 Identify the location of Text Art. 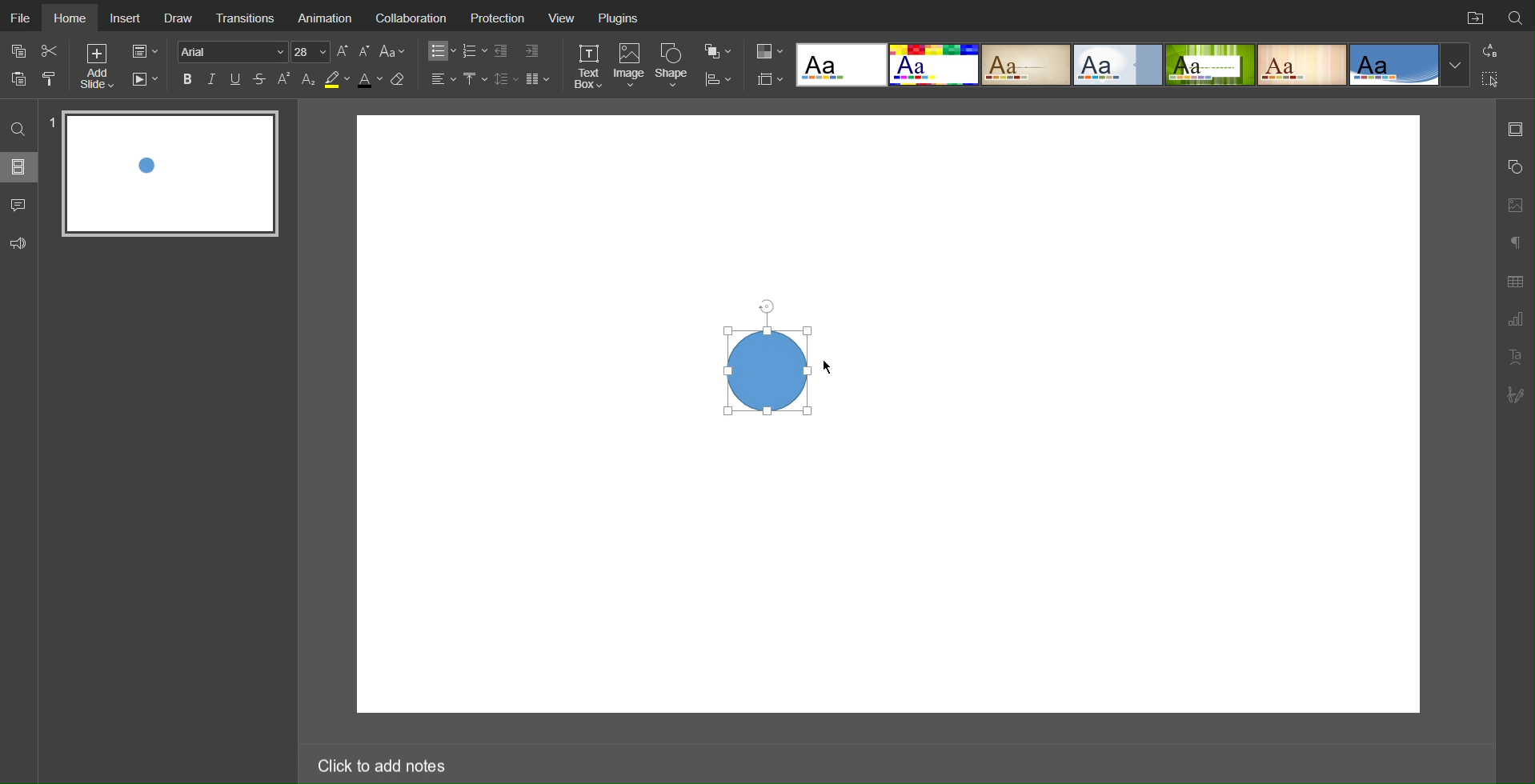
(1515, 357).